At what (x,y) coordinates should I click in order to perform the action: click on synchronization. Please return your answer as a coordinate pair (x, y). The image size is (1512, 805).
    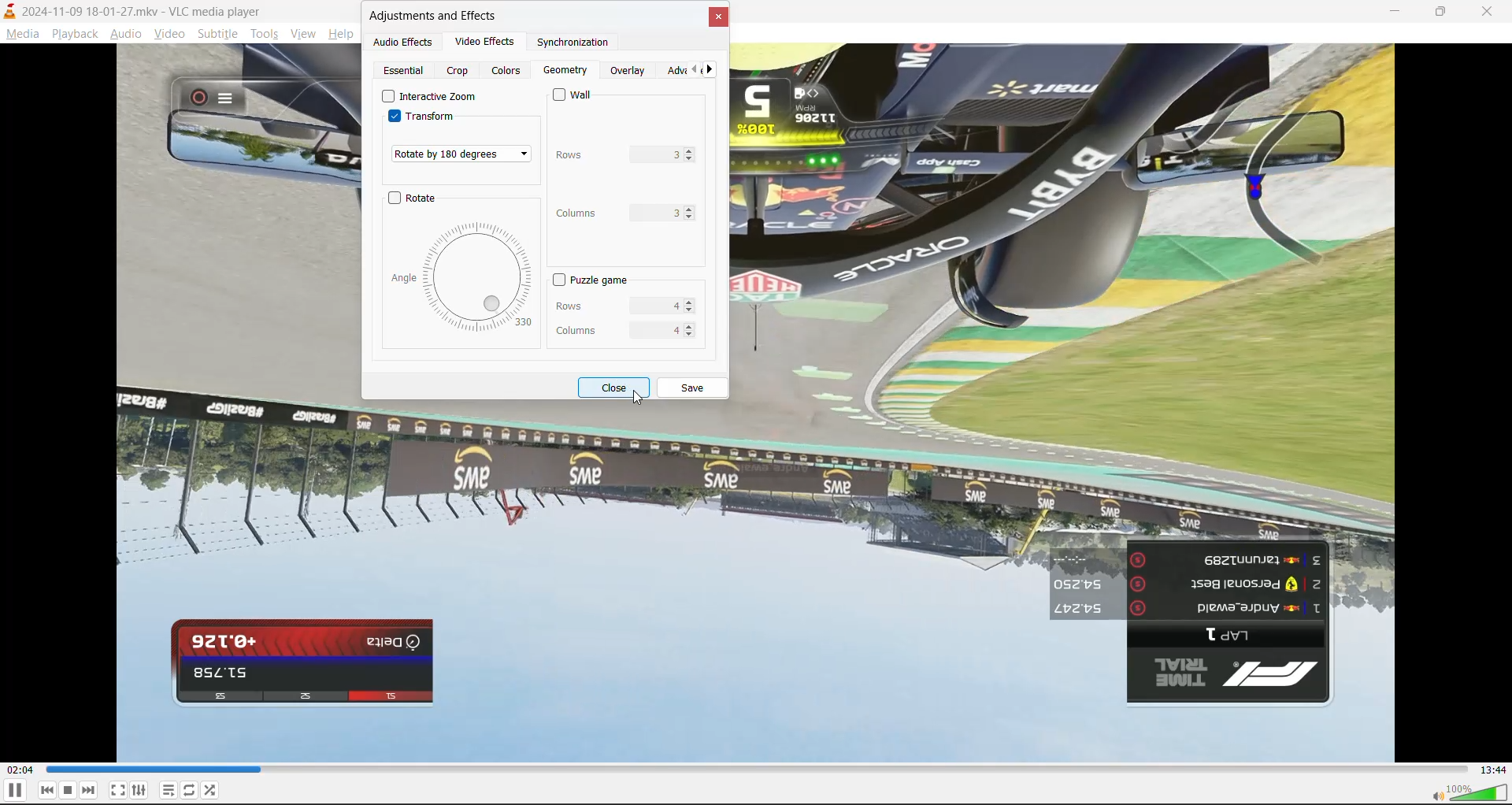
    Looking at the image, I should click on (565, 44).